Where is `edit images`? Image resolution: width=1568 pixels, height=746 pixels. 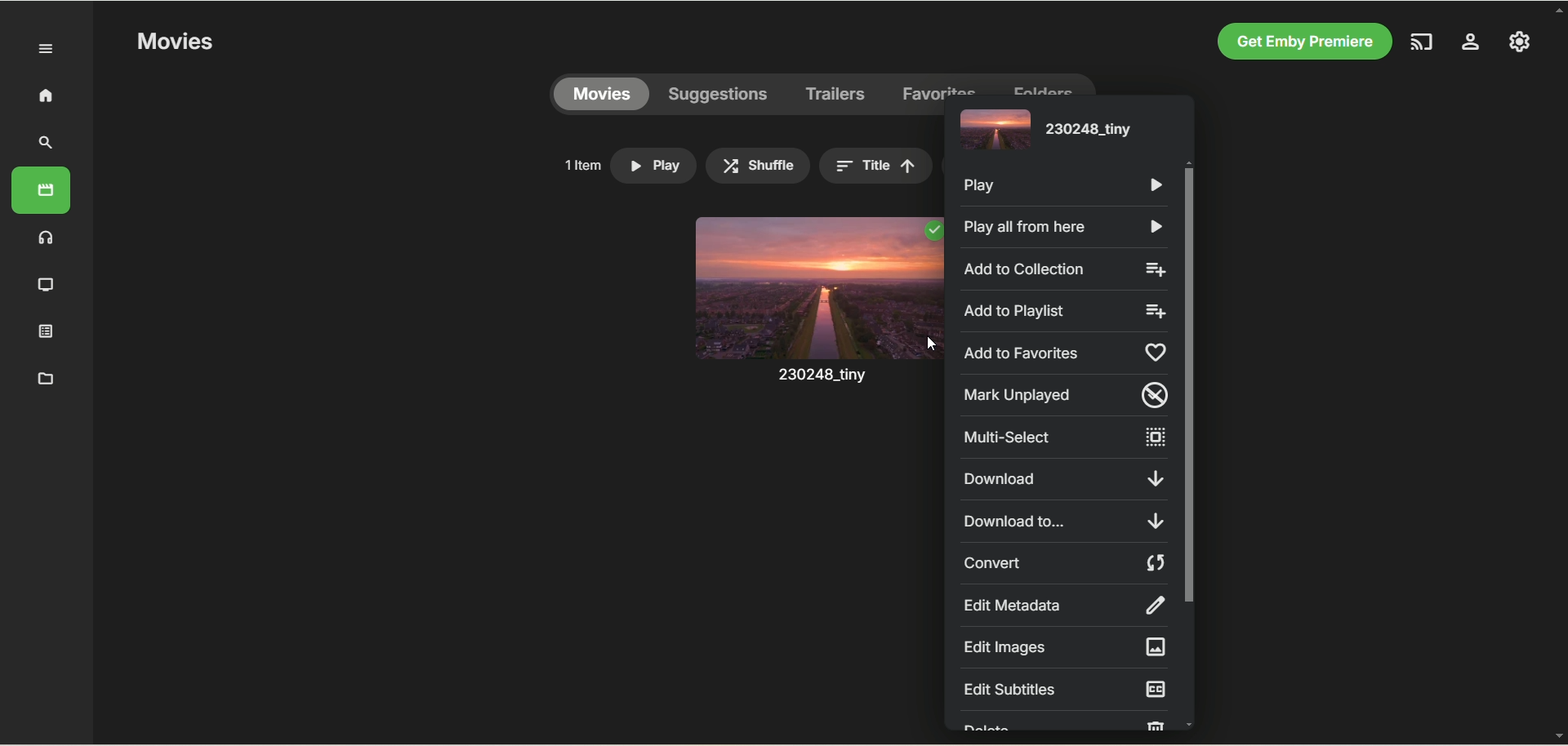 edit images is located at coordinates (1062, 647).